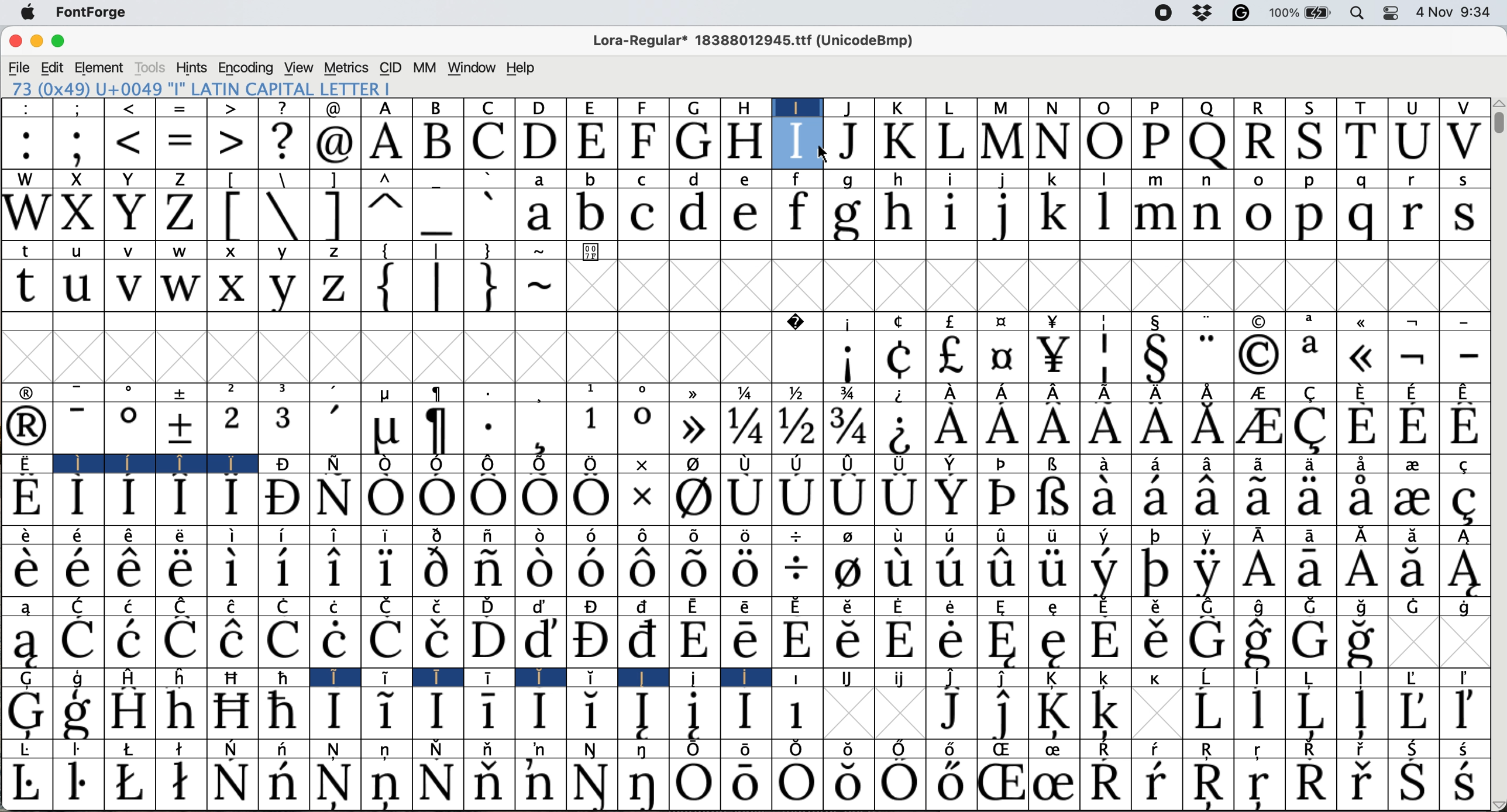 Image resolution: width=1507 pixels, height=812 pixels. What do you see at coordinates (339, 677) in the screenshot?
I see `I` at bounding box center [339, 677].